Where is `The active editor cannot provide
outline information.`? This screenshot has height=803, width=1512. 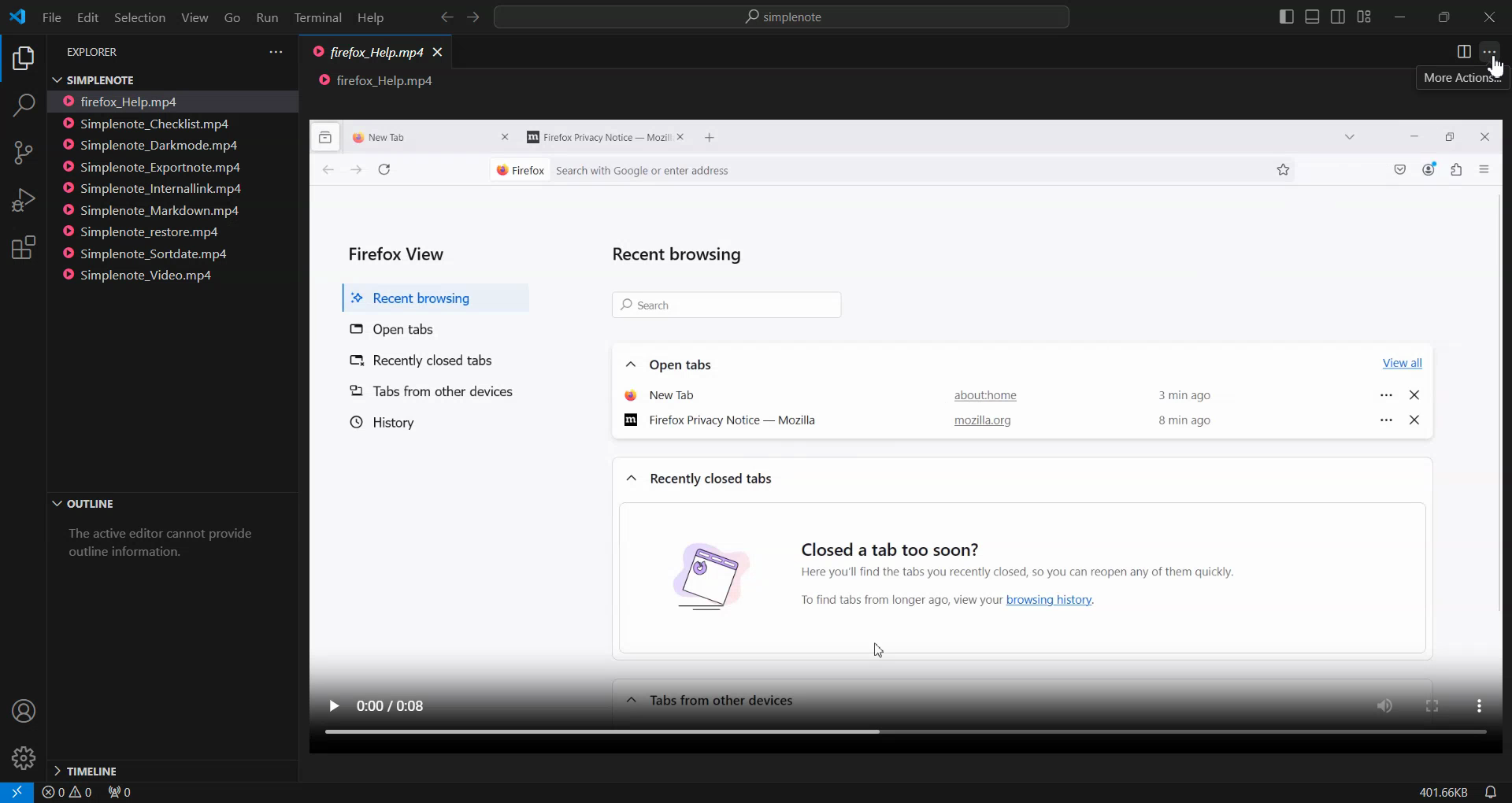
The active editor cannot provide
outline information. is located at coordinates (166, 549).